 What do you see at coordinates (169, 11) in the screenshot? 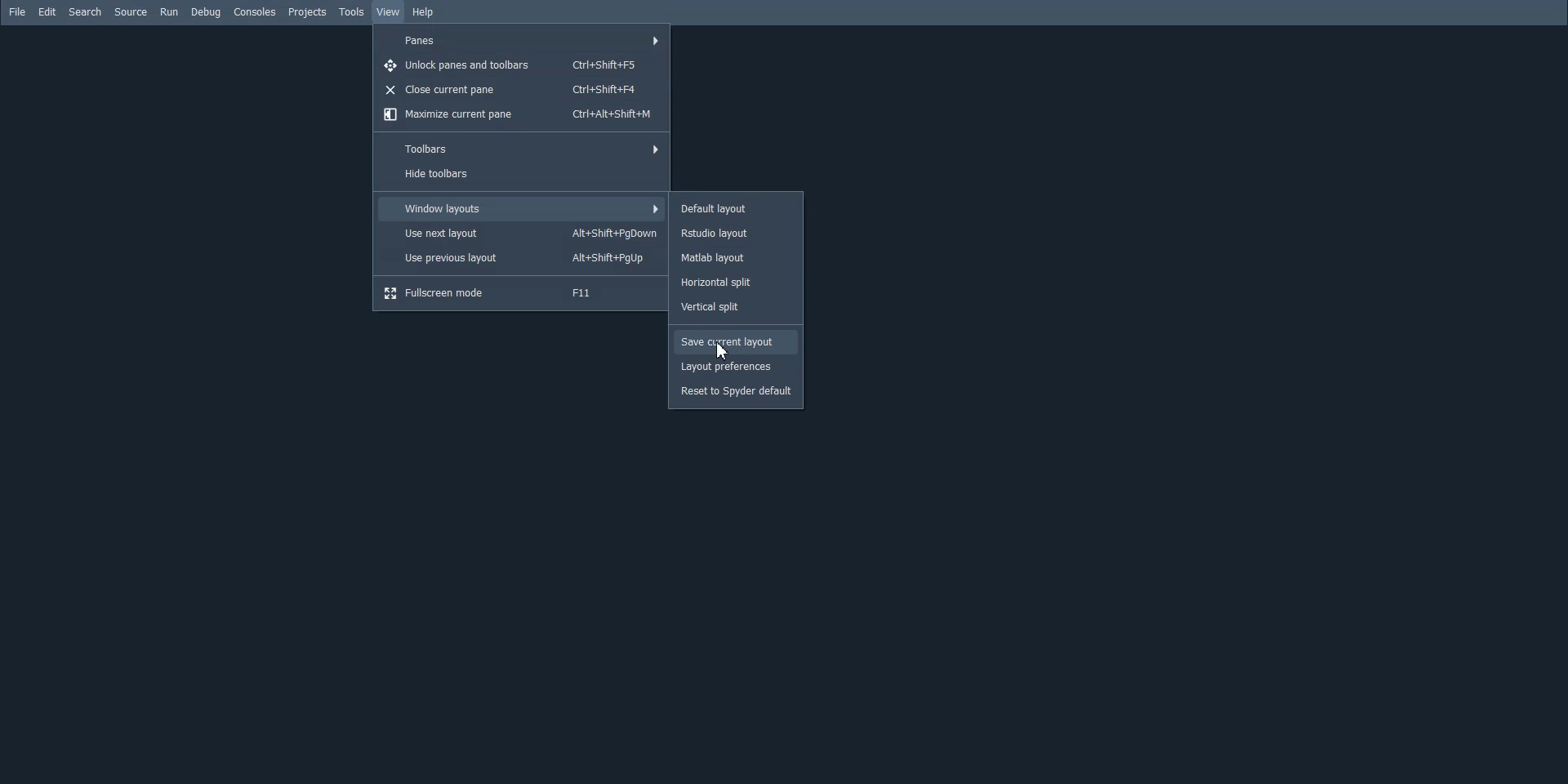
I see `Run` at bounding box center [169, 11].